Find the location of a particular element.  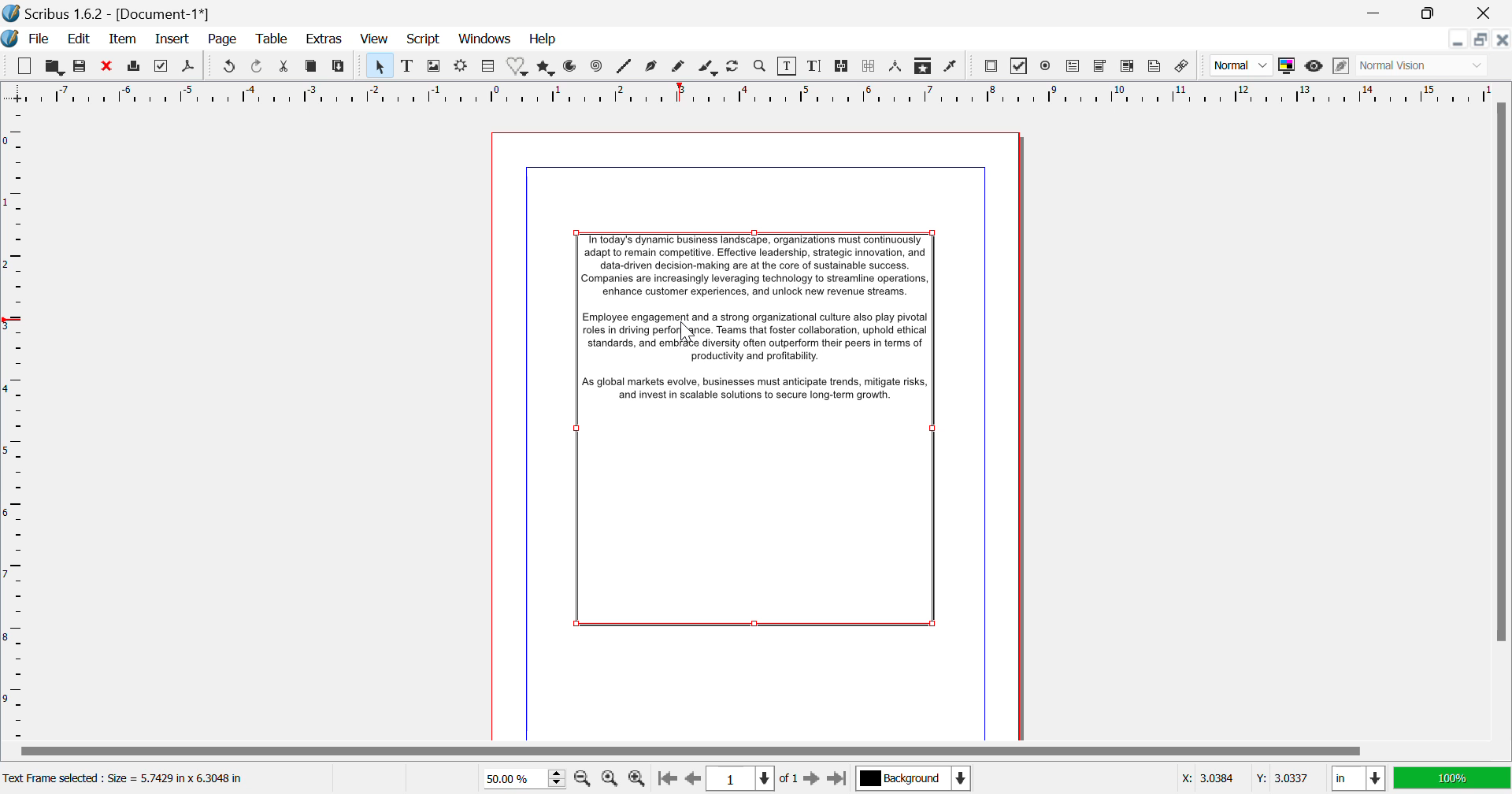

Table is located at coordinates (272, 40).